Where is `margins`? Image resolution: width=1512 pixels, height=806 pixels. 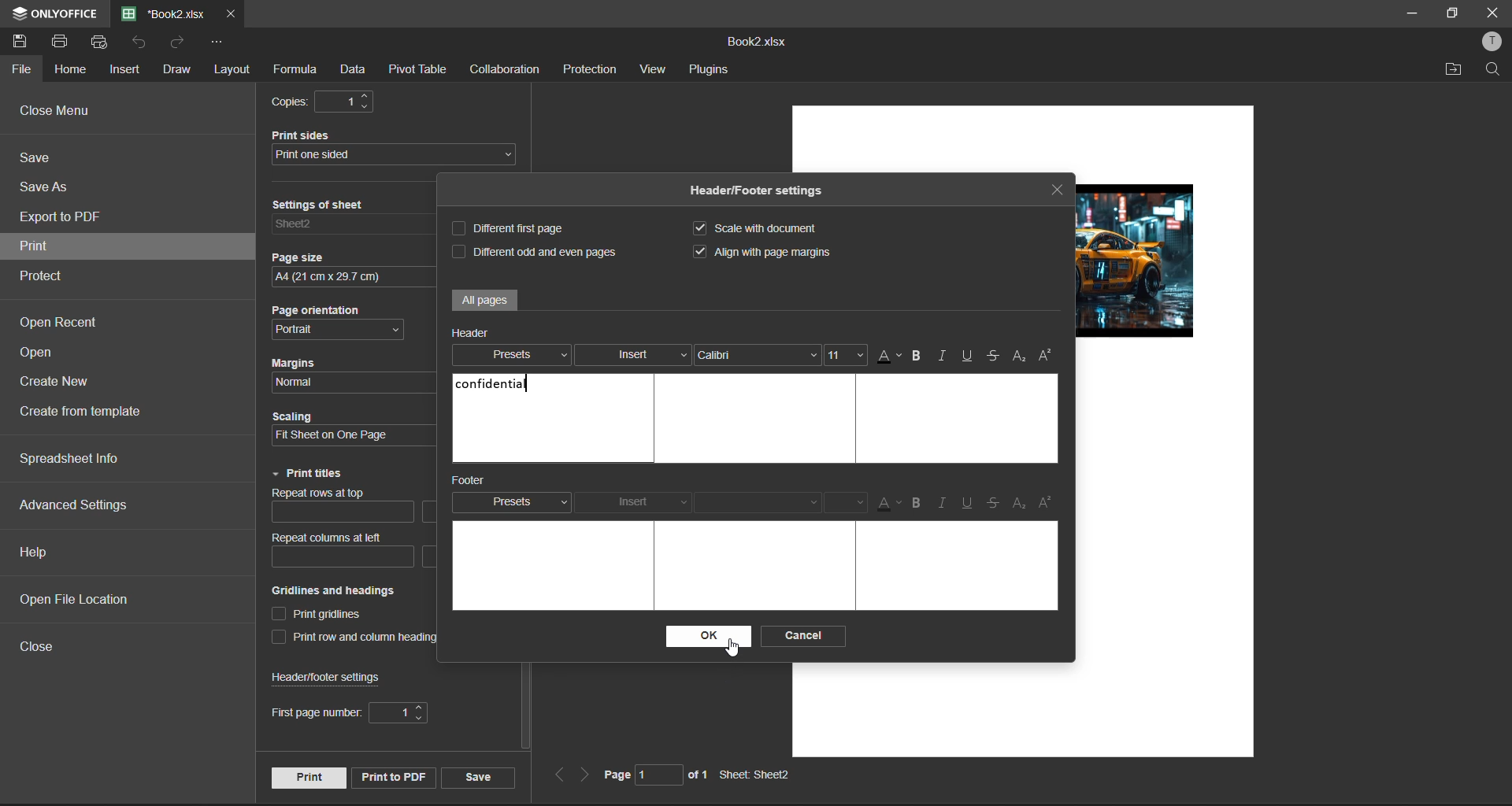 margins is located at coordinates (340, 371).